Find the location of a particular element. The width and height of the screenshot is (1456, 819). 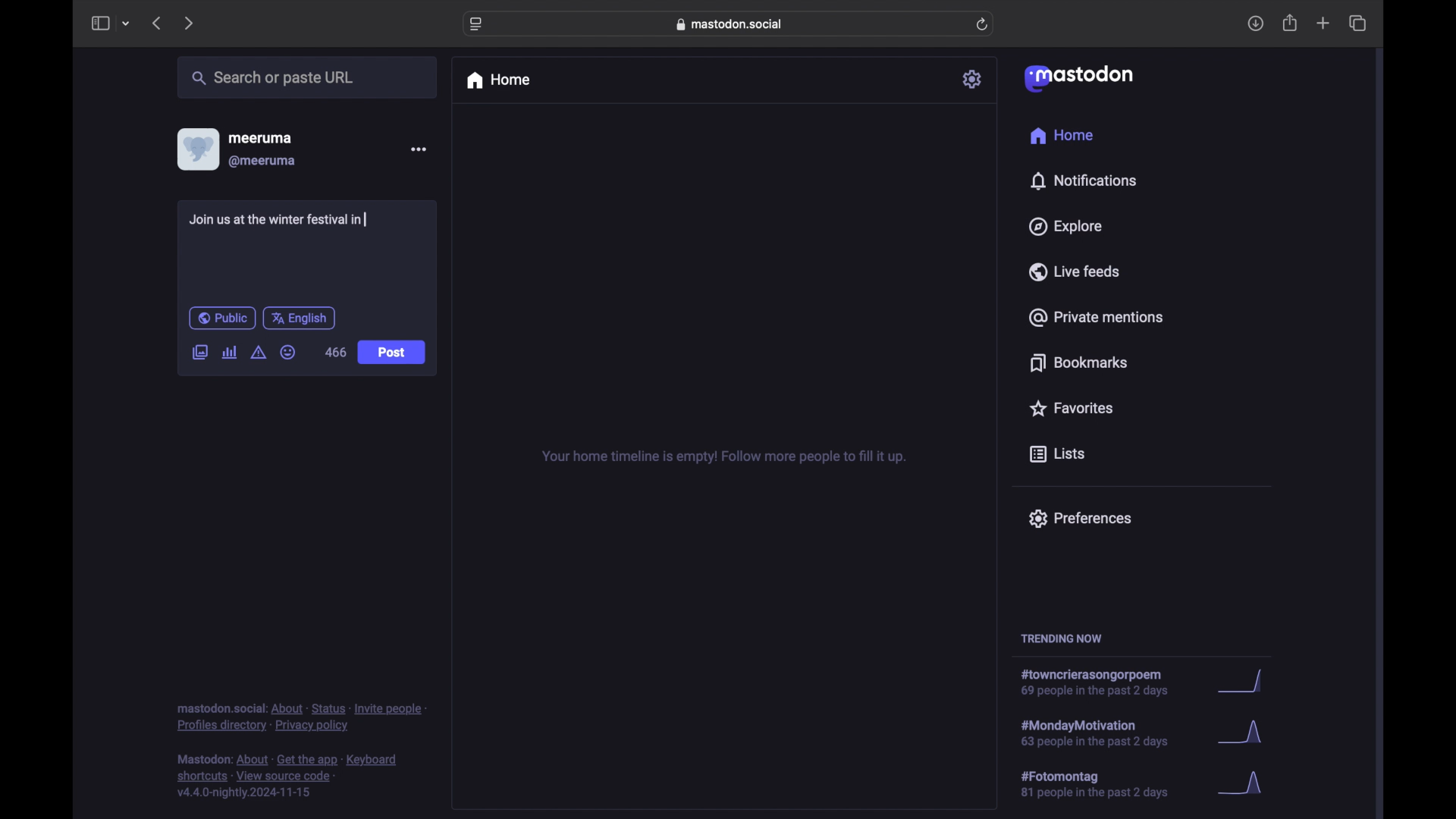

live feeds is located at coordinates (1075, 271).